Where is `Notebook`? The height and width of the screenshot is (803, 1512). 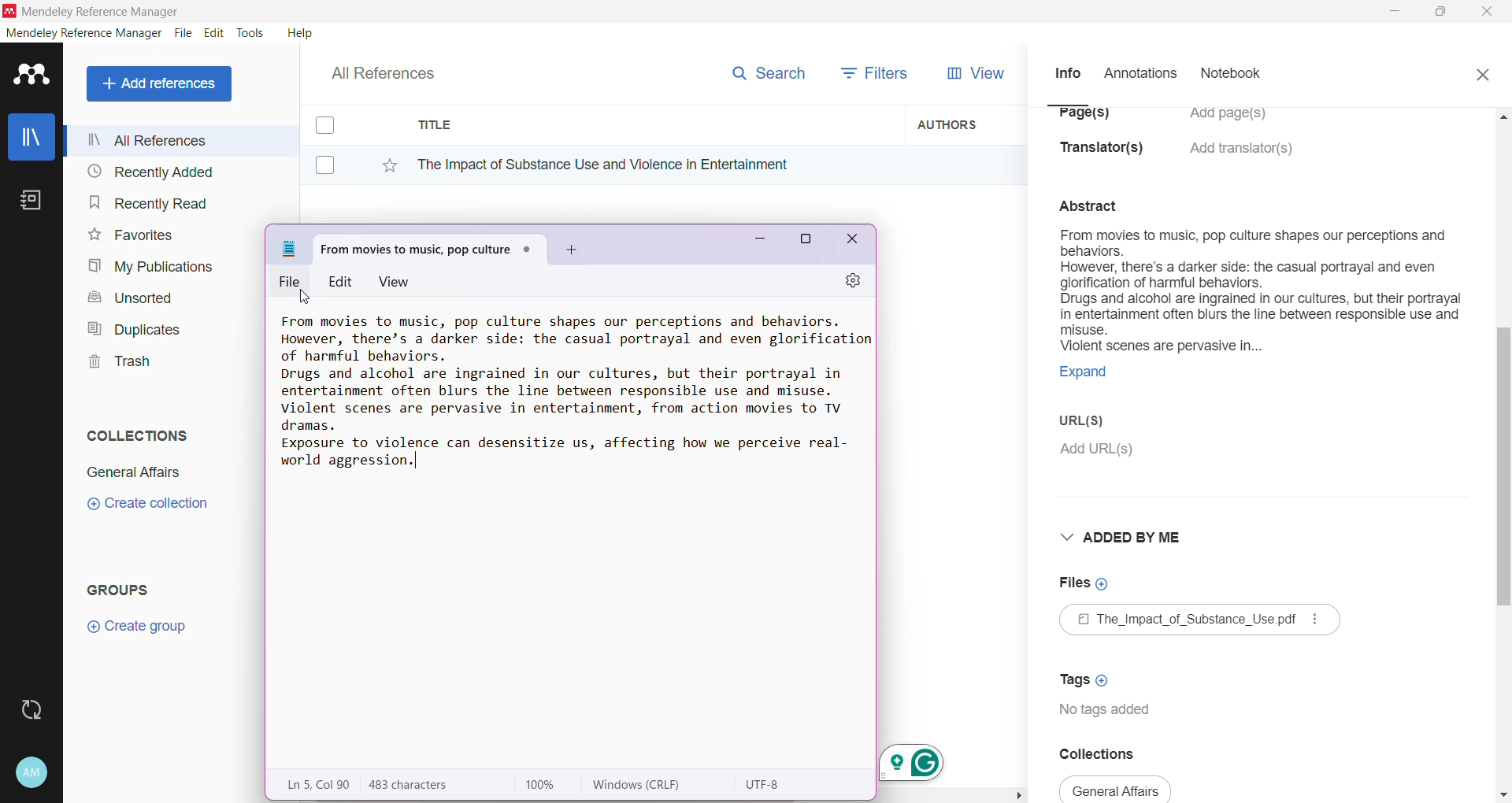 Notebook is located at coordinates (1236, 75).